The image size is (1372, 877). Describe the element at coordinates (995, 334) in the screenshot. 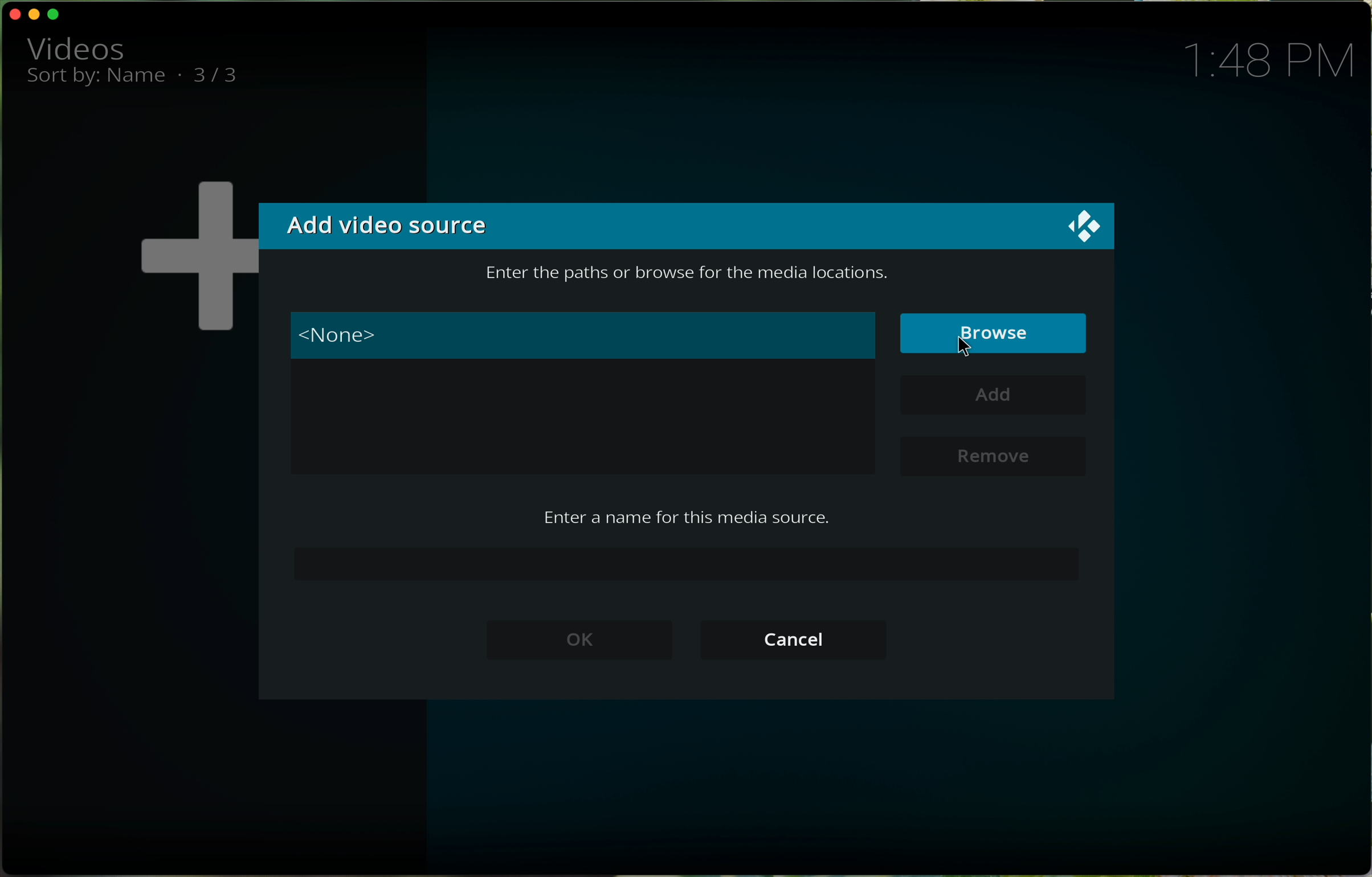

I see `click on browse button` at that location.